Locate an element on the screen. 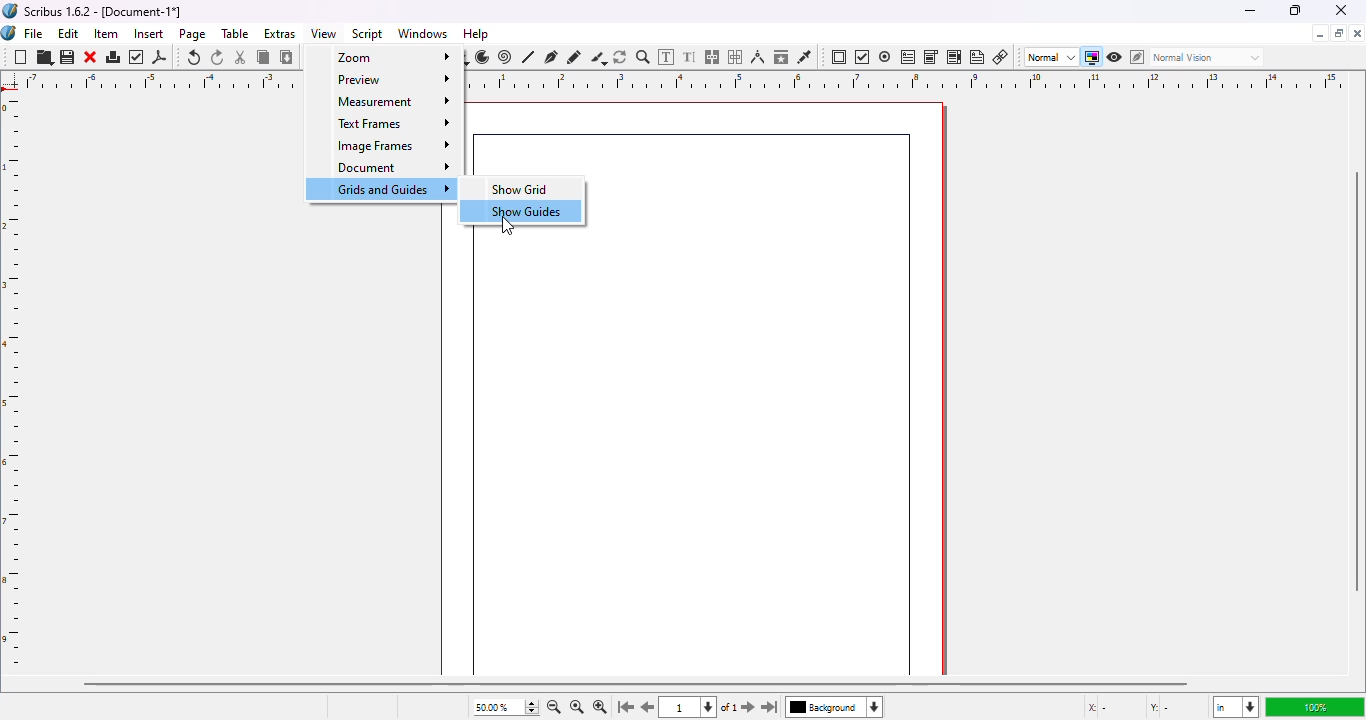  maximize is located at coordinates (1294, 10).